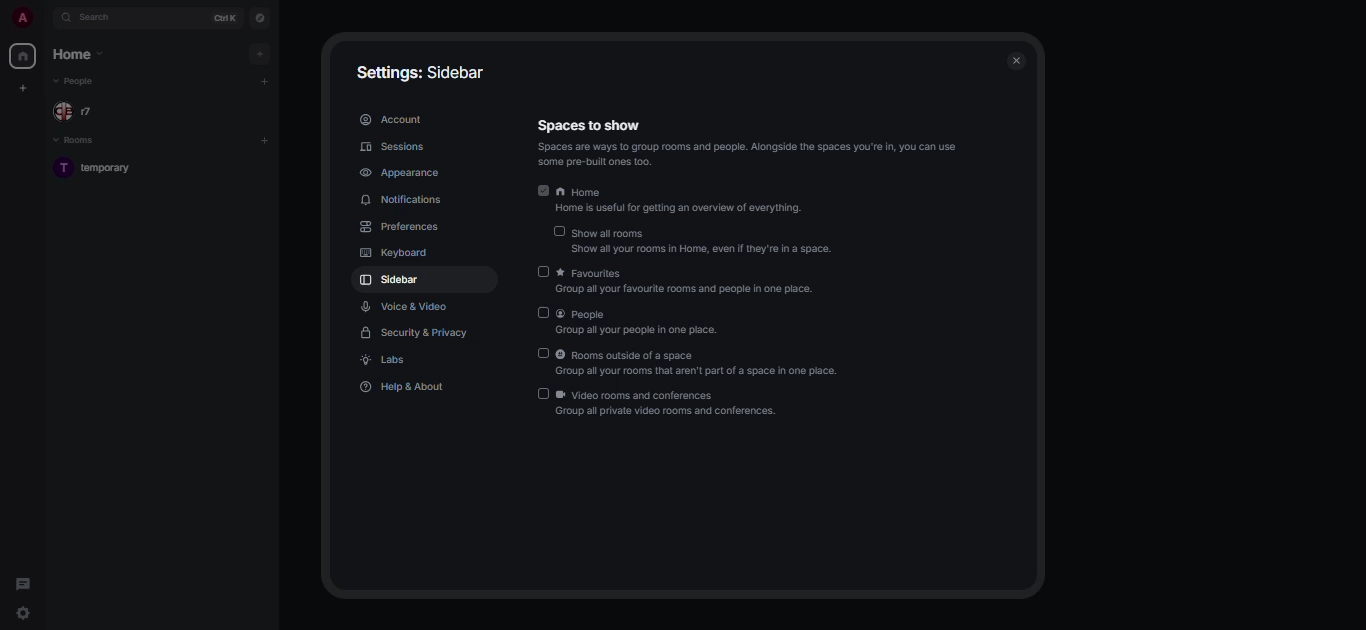 The width and height of the screenshot is (1366, 630). What do you see at coordinates (411, 331) in the screenshot?
I see `security & privacy` at bounding box center [411, 331].